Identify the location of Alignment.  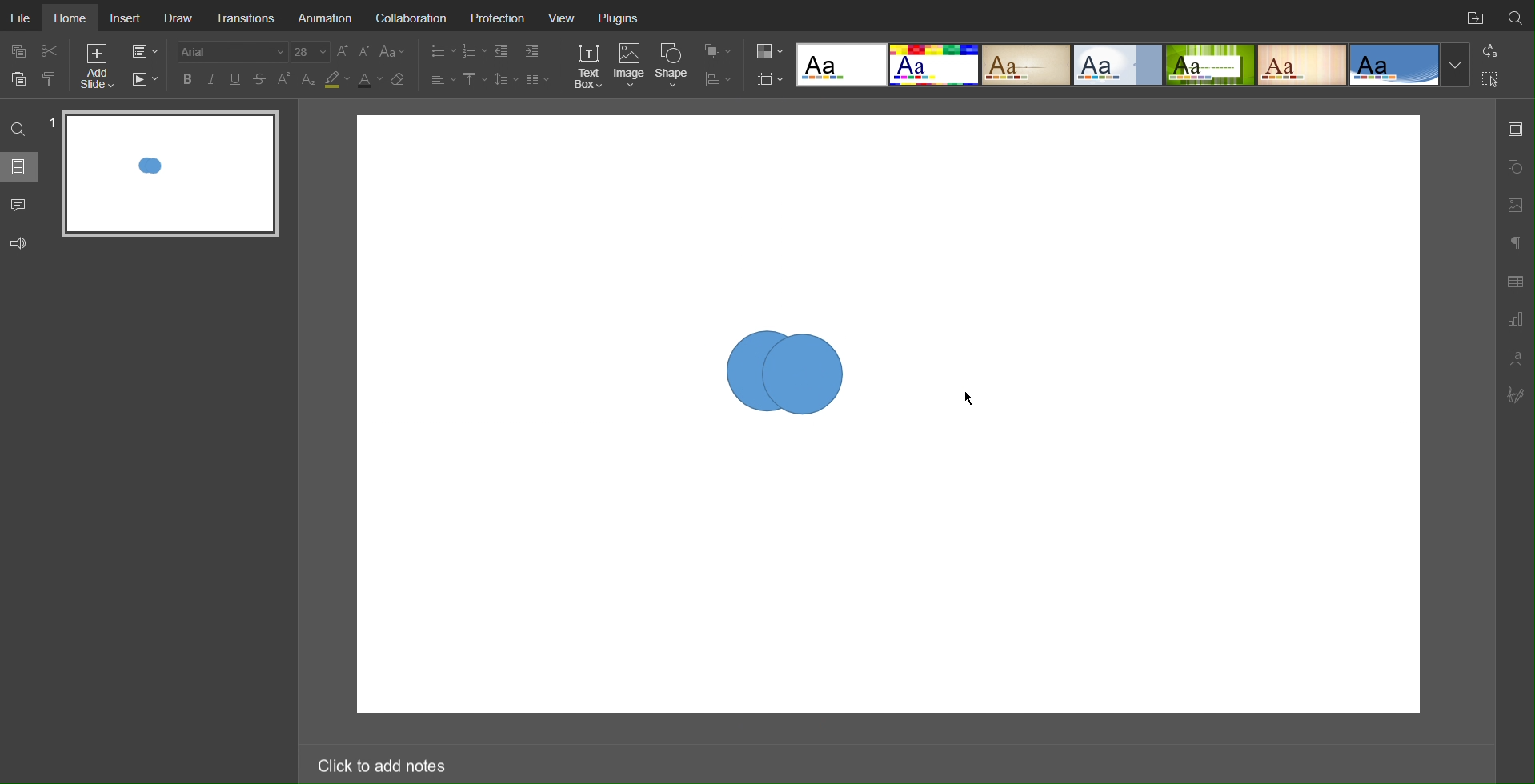
(442, 78).